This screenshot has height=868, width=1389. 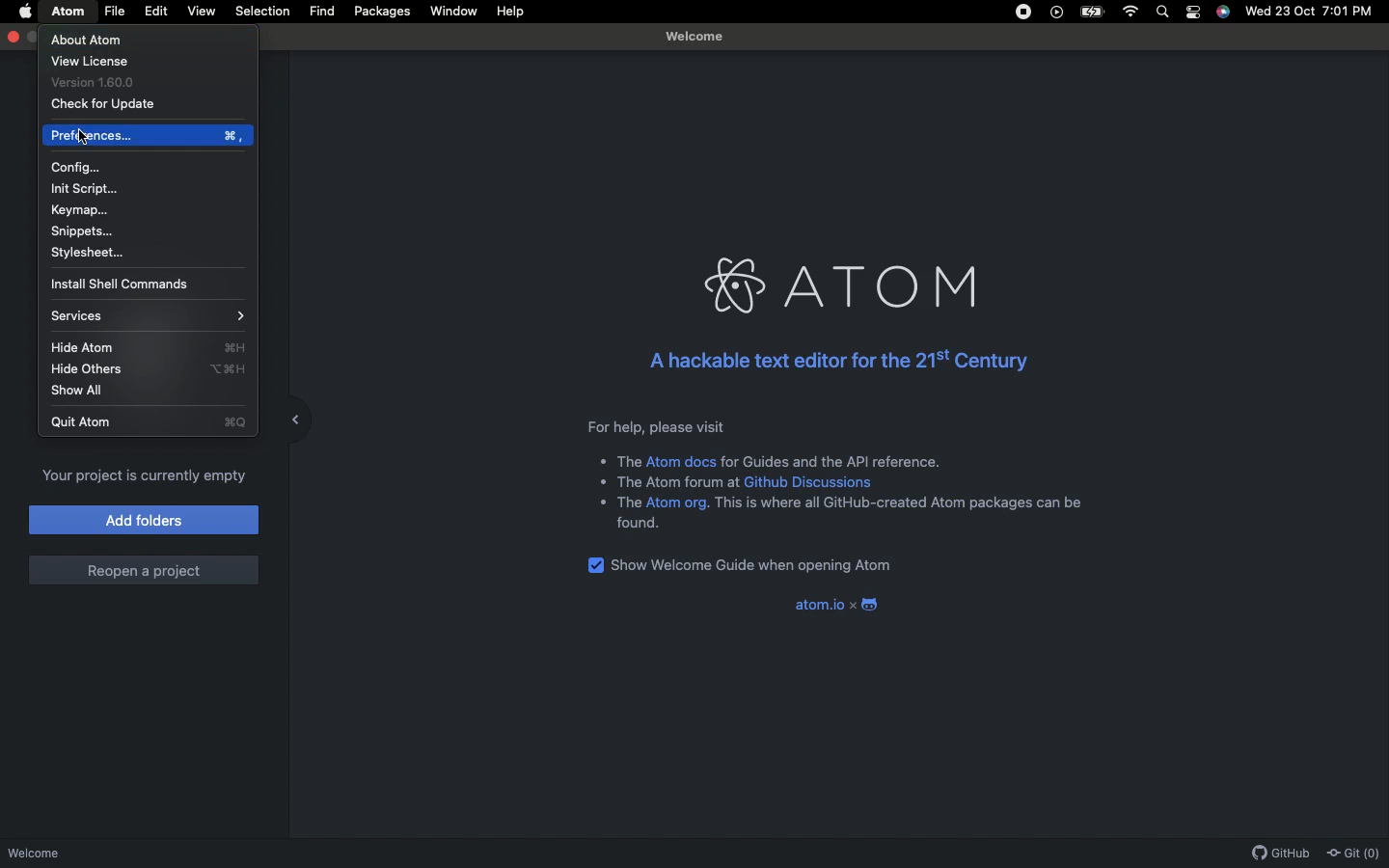 What do you see at coordinates (88, 254) in the screenshot?
I see `Stylesheet` at bounding box center [88, 254].